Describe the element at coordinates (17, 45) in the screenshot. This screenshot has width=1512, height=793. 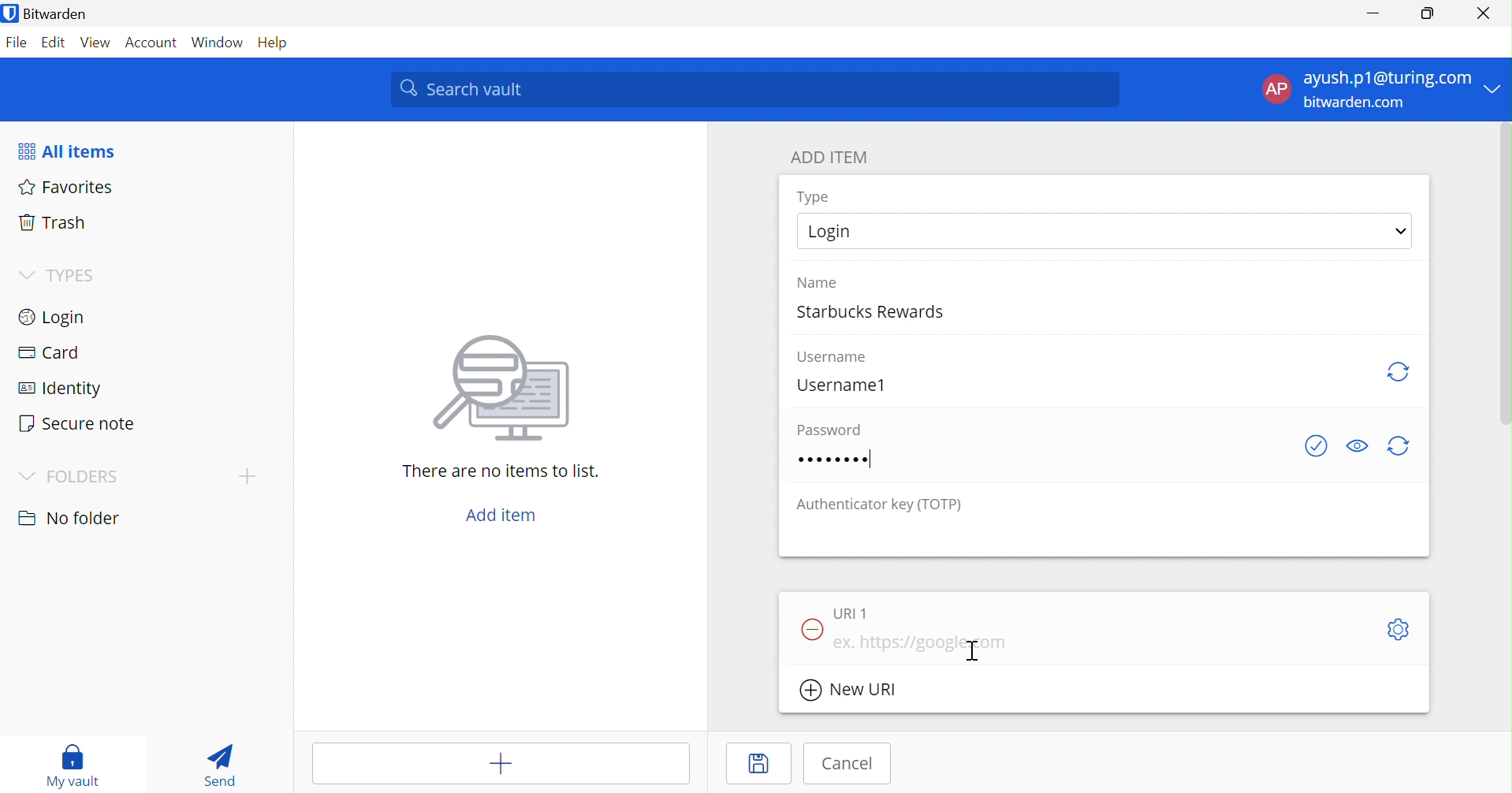
I see `File` at that location.